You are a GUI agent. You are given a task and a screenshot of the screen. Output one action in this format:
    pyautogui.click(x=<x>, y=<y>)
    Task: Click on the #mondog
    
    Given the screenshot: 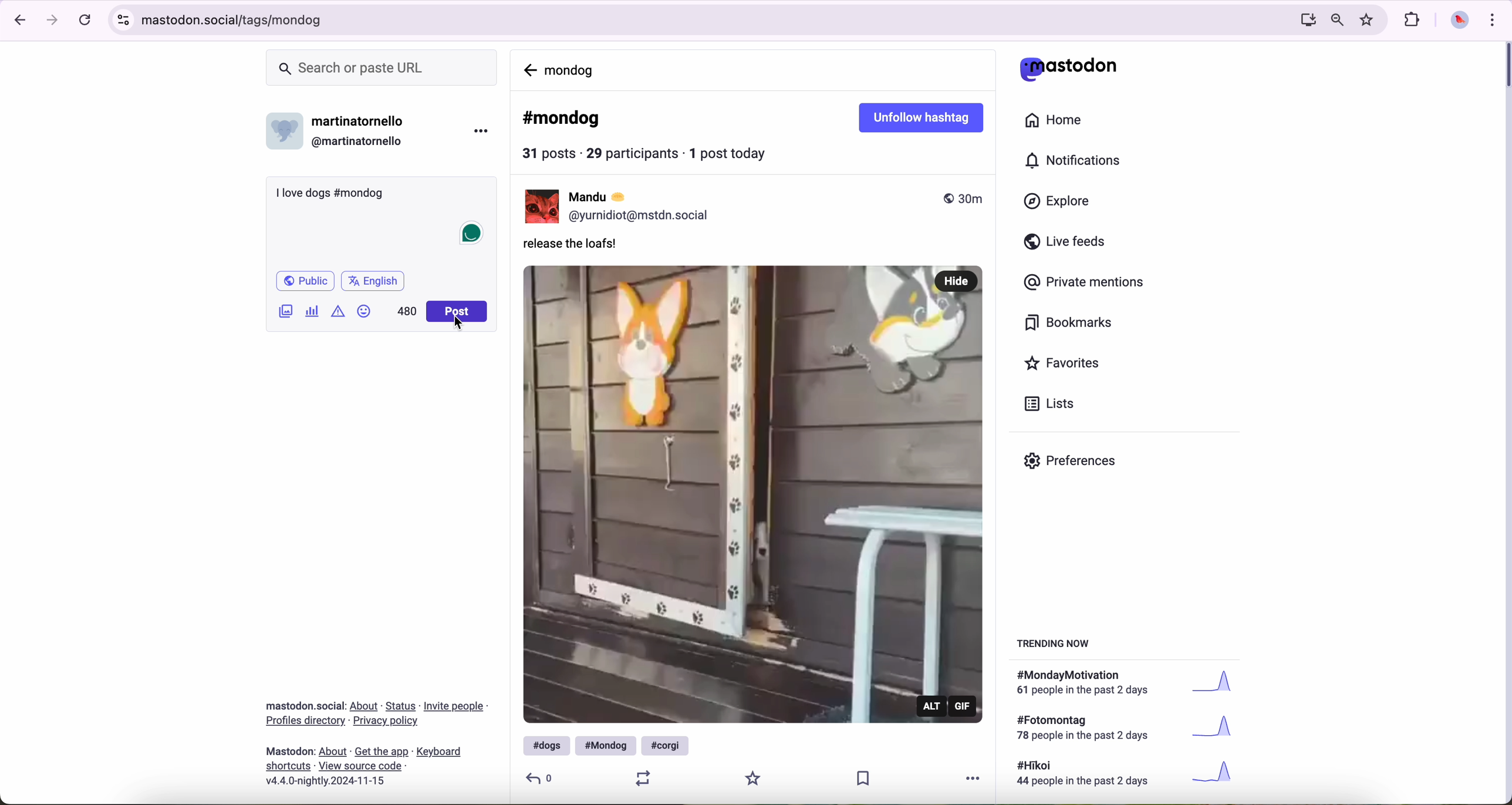 What is the action you would take?
    pyautogui.click(x=606, y=746)
    